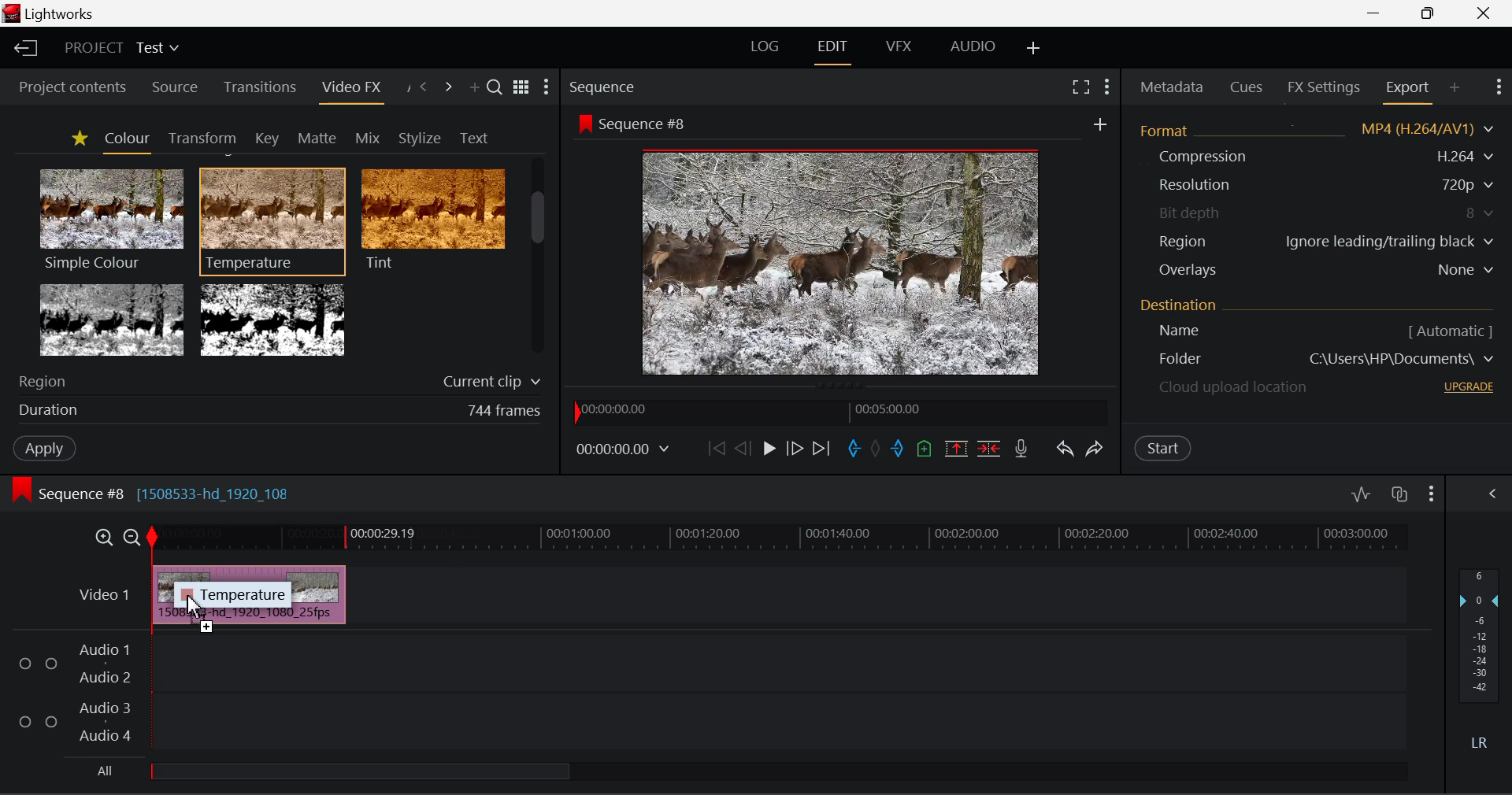 This screenshot has width=1512, height=795. I want to click on Start, so click(1164, 449).